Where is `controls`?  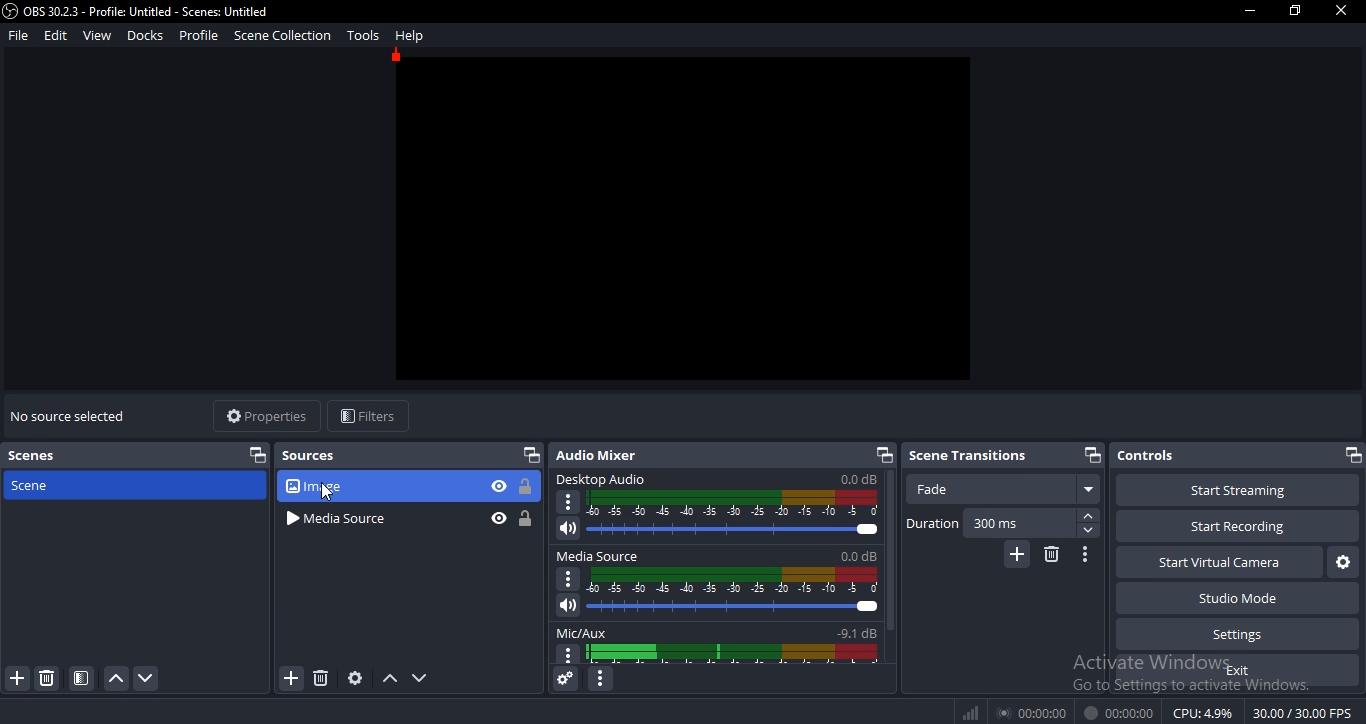
controls is located at coordinates (1225, 456).